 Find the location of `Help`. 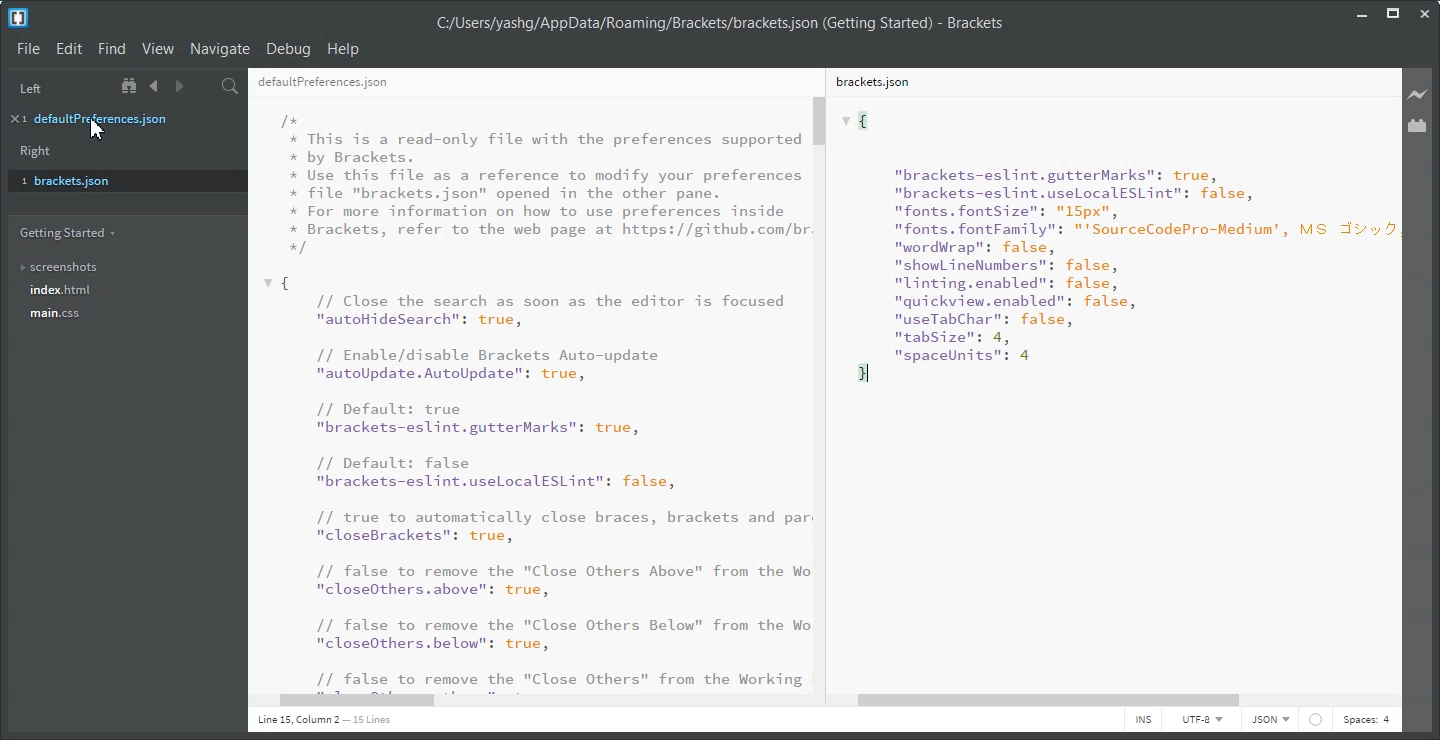

Help is located at coordinates (344, 48).